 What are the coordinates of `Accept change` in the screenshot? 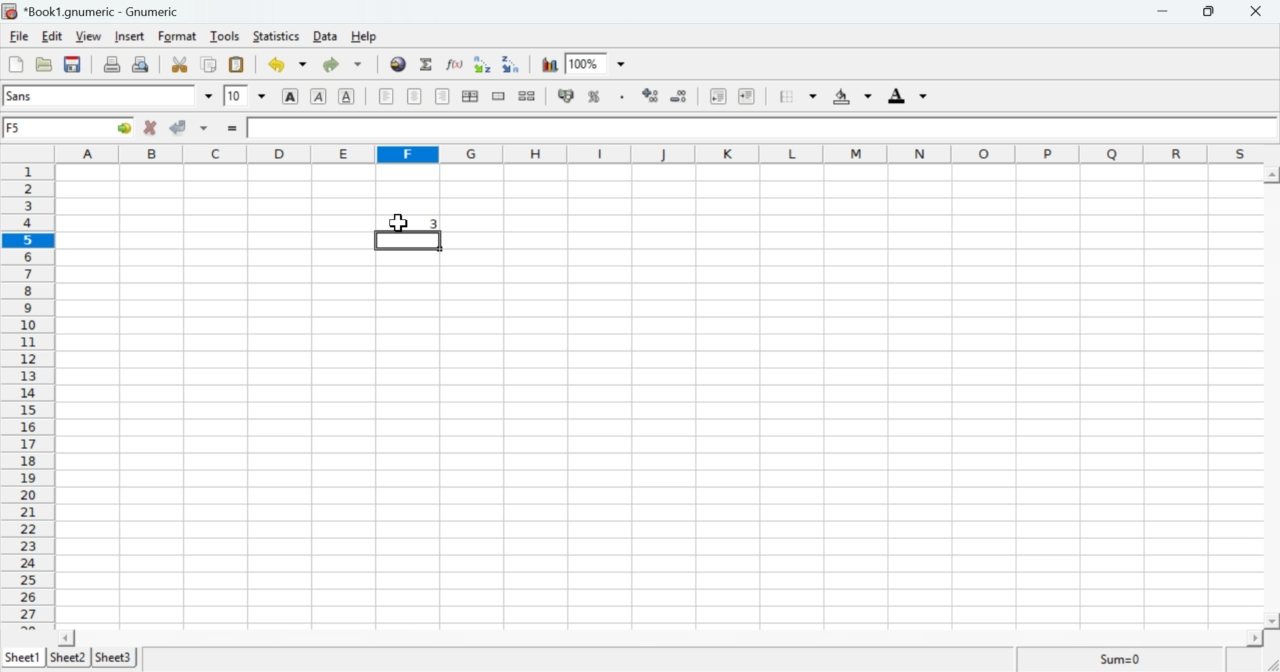 It's located at (180, 125).